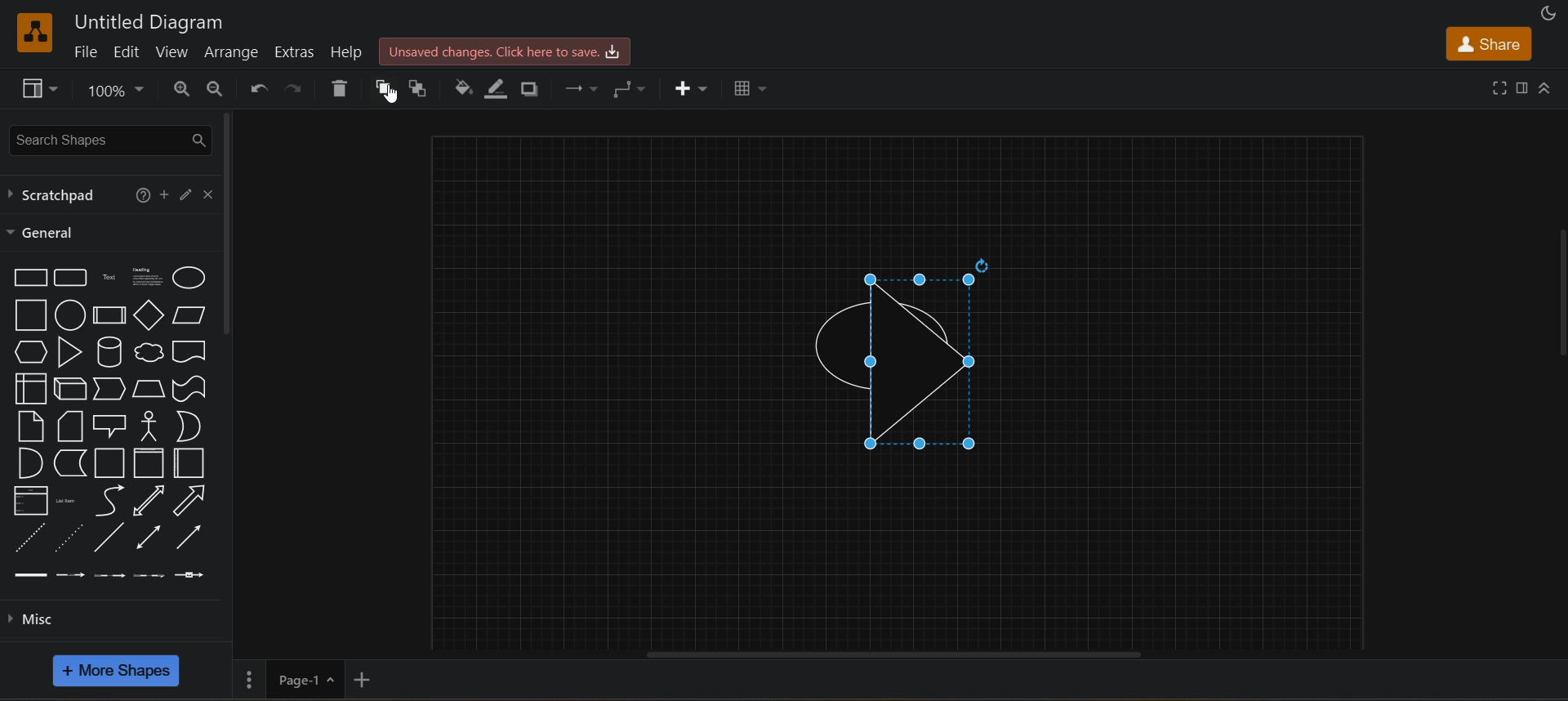 This screenshot has height=701, width=1568. Describe the element at coordinates (110, 576) in the screenshot. I see `connector with 2 label` at that location.